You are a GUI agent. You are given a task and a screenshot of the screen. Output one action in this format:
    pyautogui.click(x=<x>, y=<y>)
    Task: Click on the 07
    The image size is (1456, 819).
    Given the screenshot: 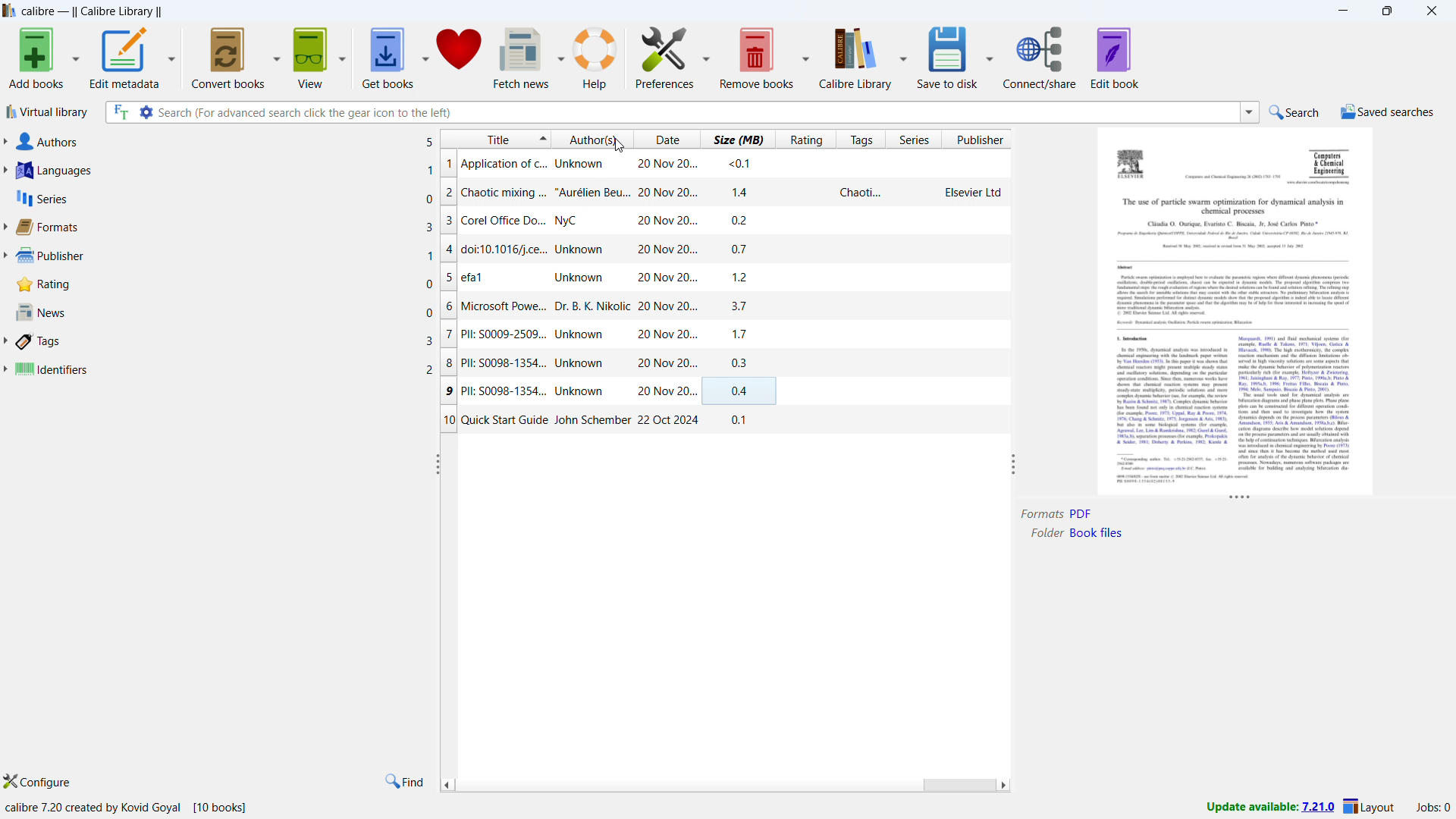 What is the action you would take?
    pyautogui.click(x=743, y=248)
    